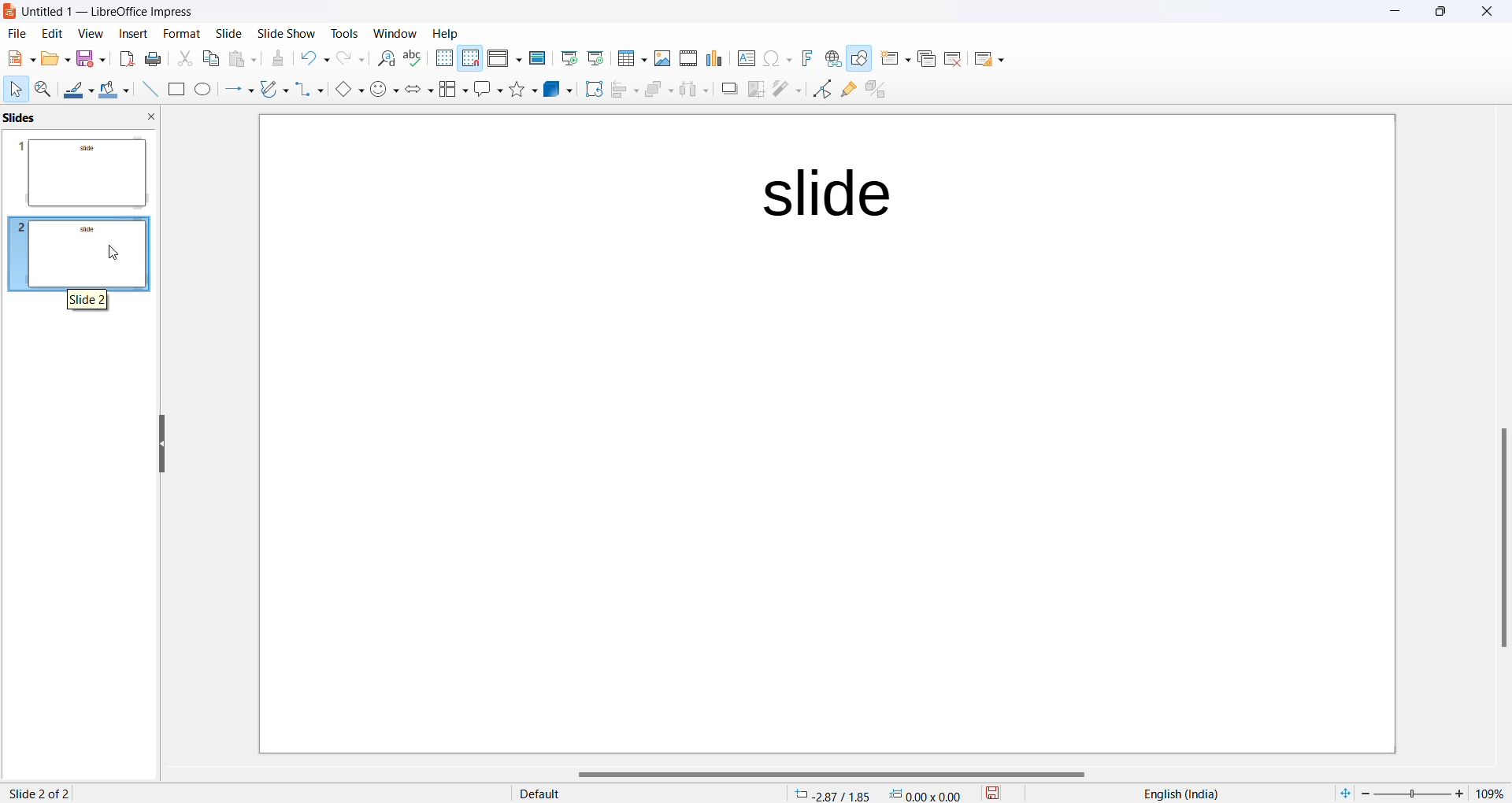 This screenshot has height=803, width=1512. I want to click on Fill colour, so click(112, 89).